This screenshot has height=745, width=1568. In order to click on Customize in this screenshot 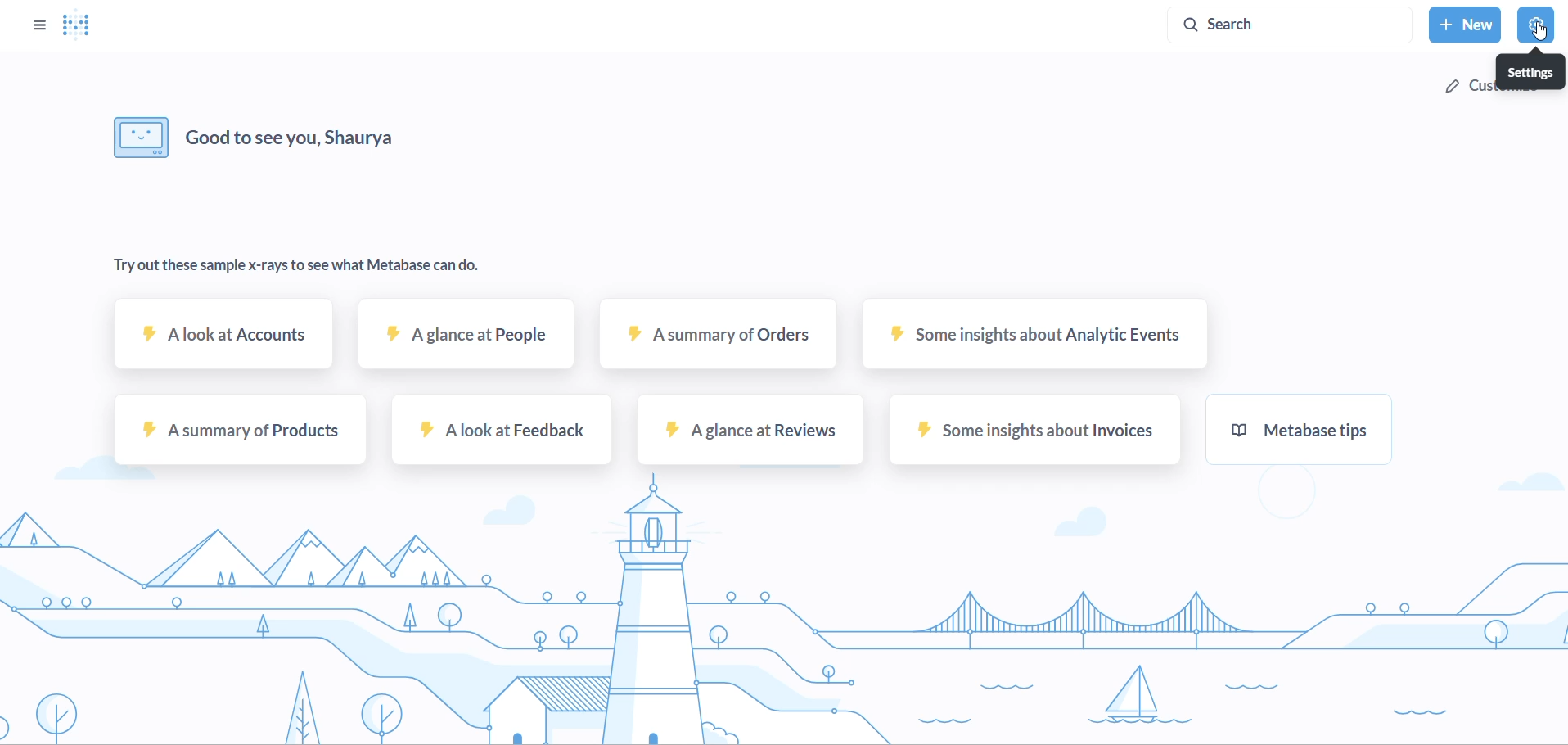, I will do `click(1467, 86)`.